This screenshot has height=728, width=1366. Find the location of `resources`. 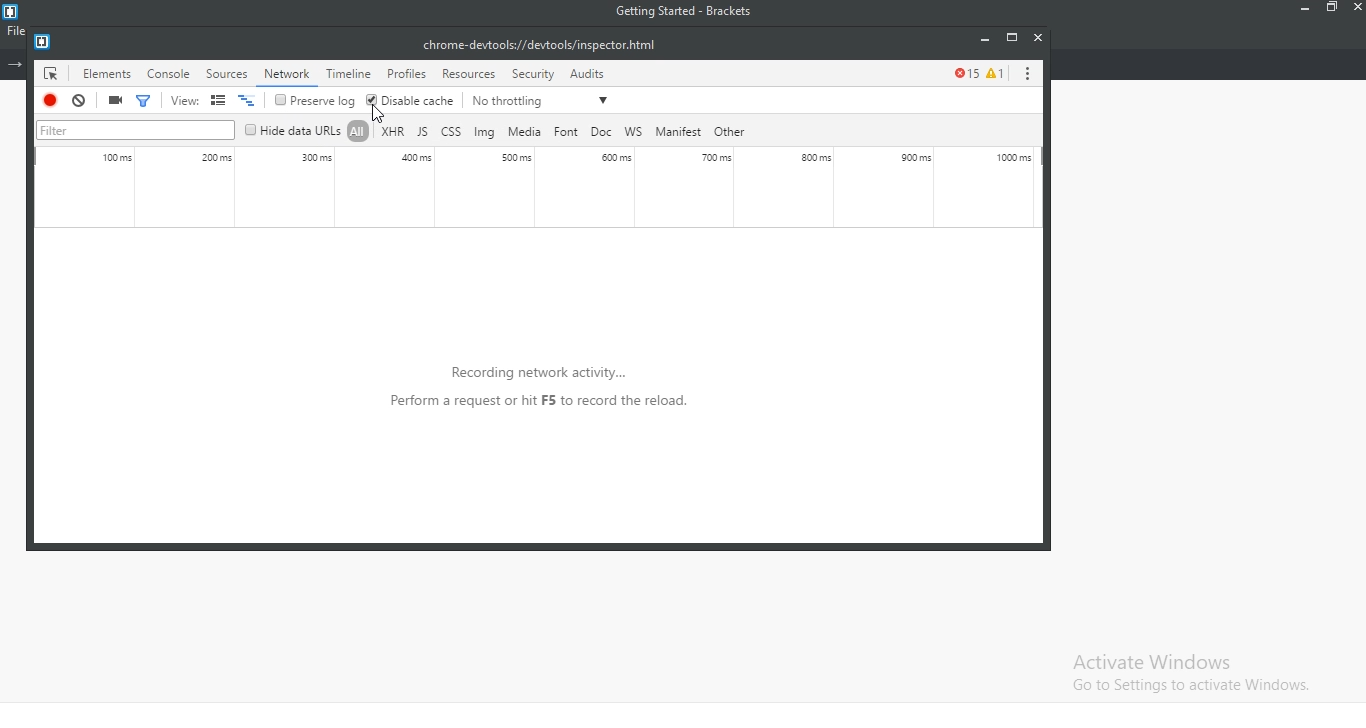

resources is located at coordinates (469, 73).